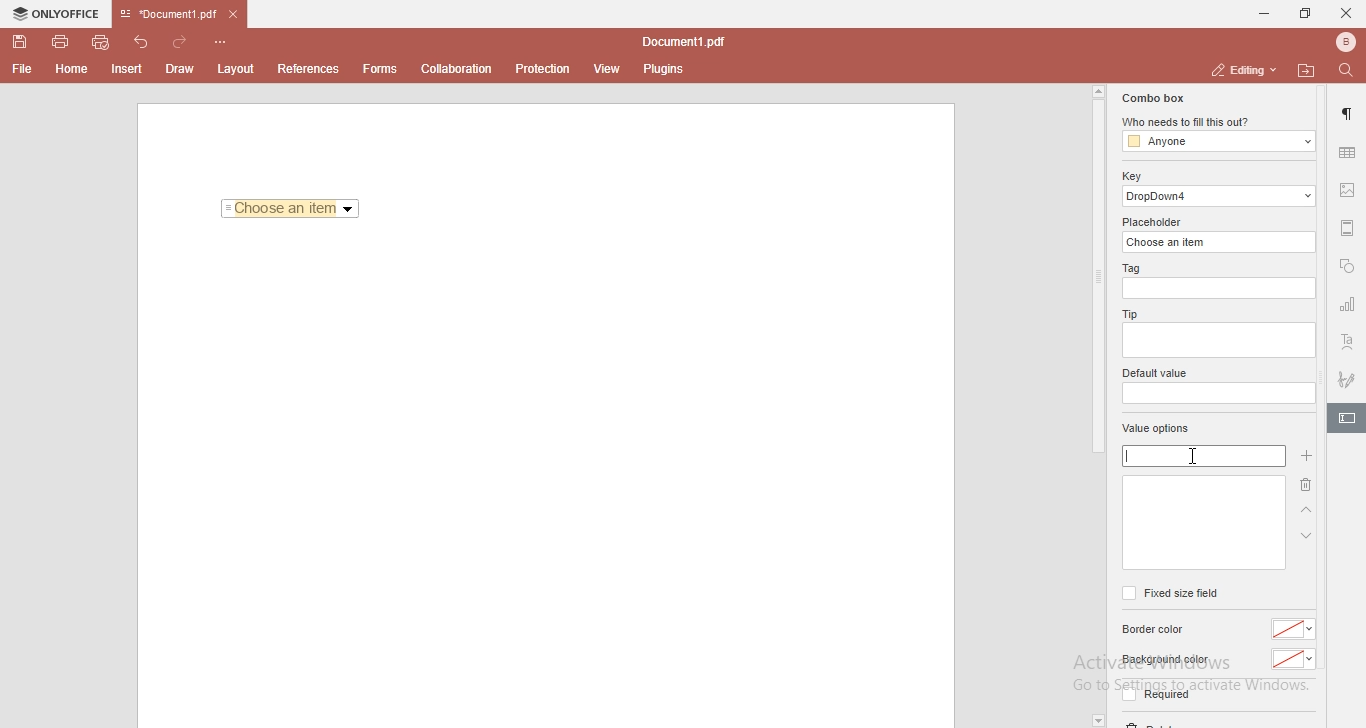 Image resolution: width=1366 pixels, height=728 pixels. I want to click on choose an item, so click(1221, 241).